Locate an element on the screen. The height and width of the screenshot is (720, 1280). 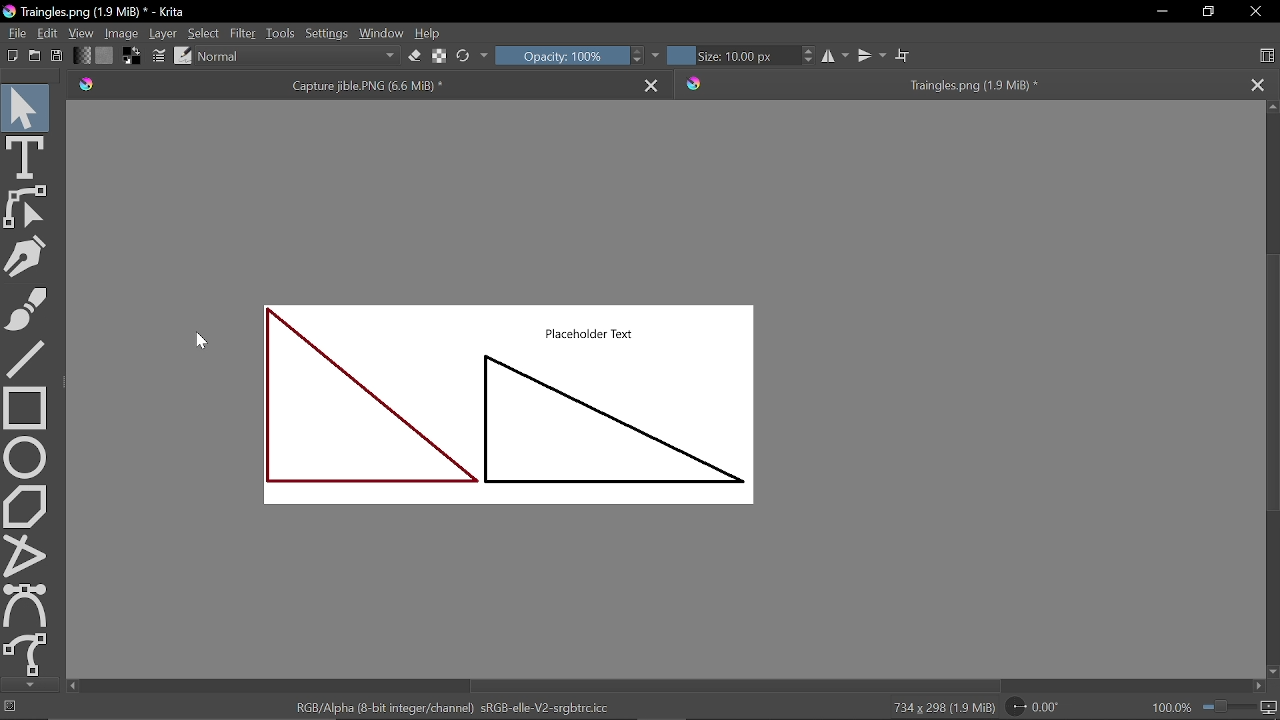
View is located at coordinates (82, 32).